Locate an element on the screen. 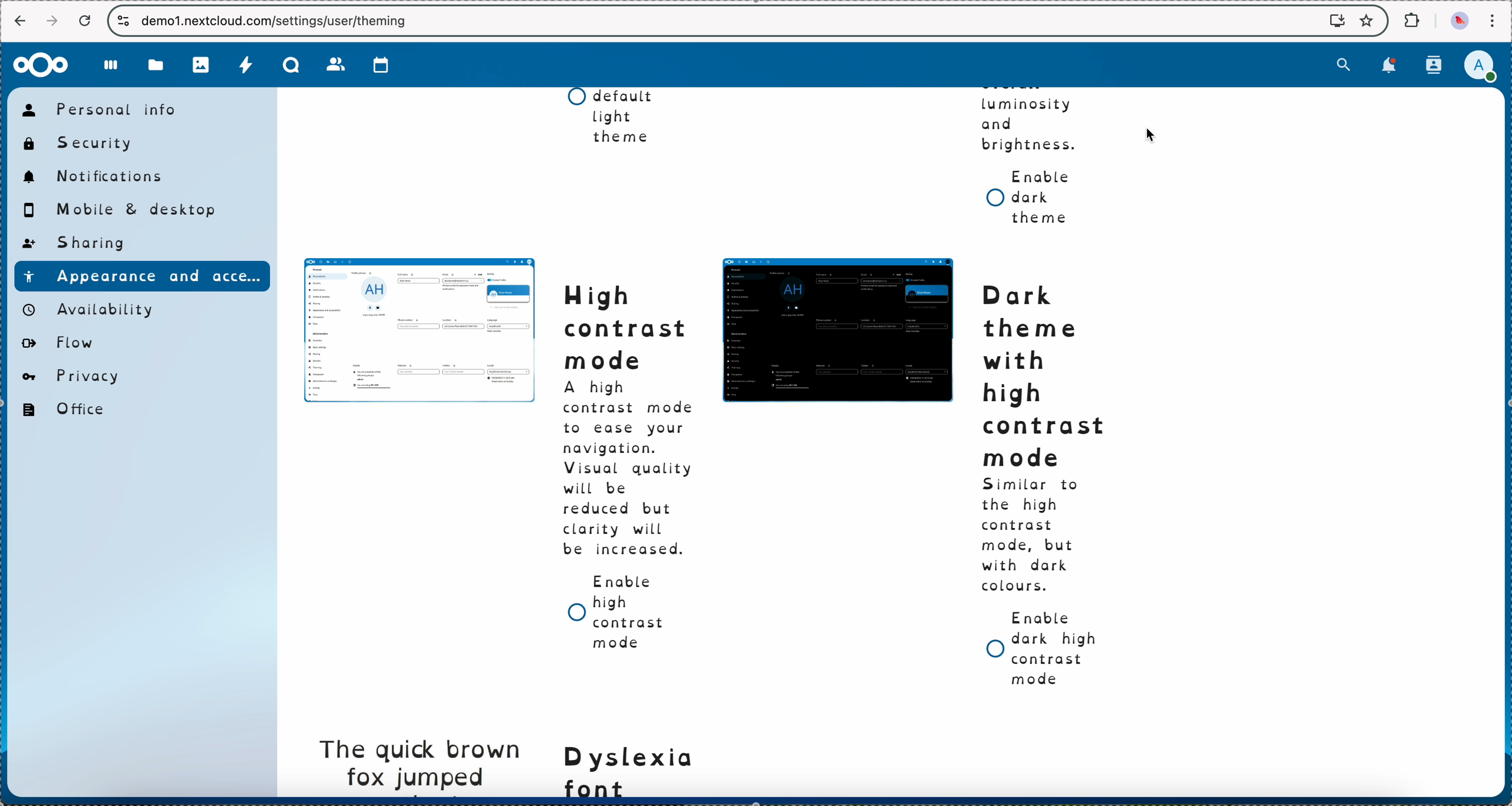 The width and height of the screenshot is (1512, 806). contacts is located at coordinates (333, 65).